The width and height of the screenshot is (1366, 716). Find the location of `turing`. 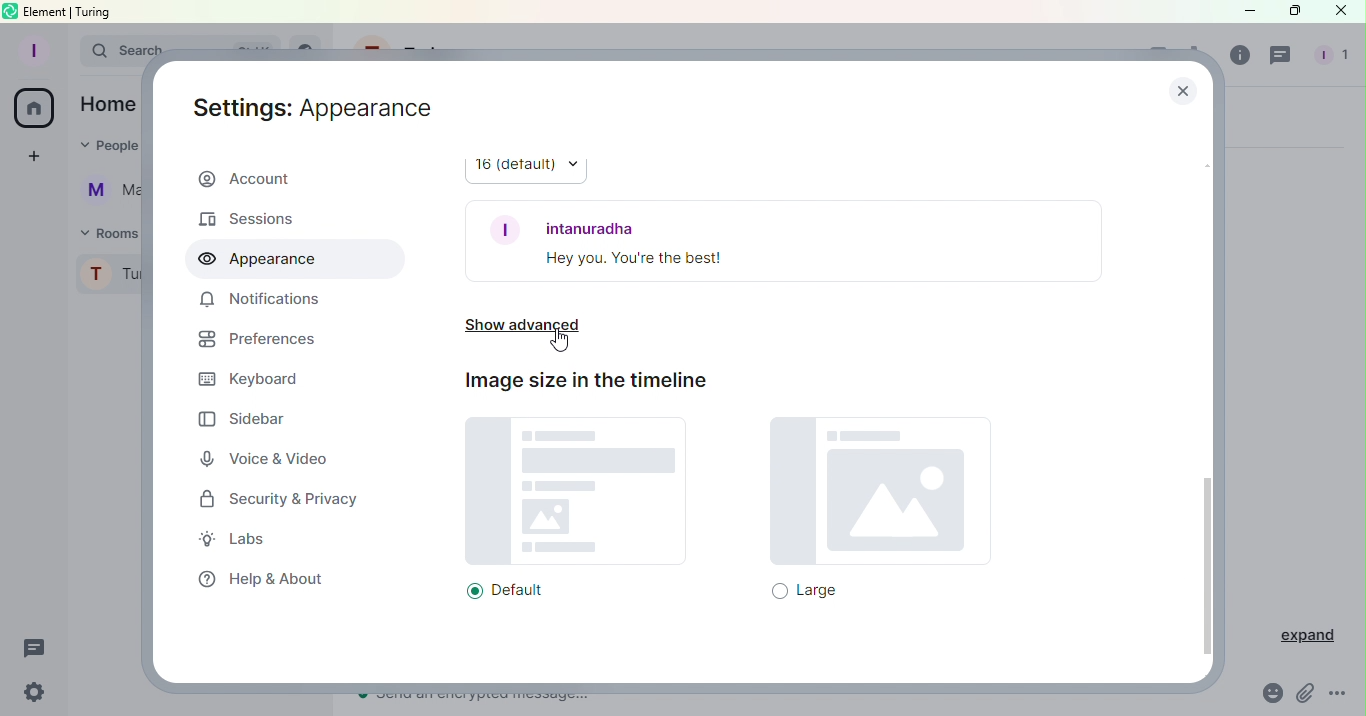

turing is located at coordinates (97, 12).